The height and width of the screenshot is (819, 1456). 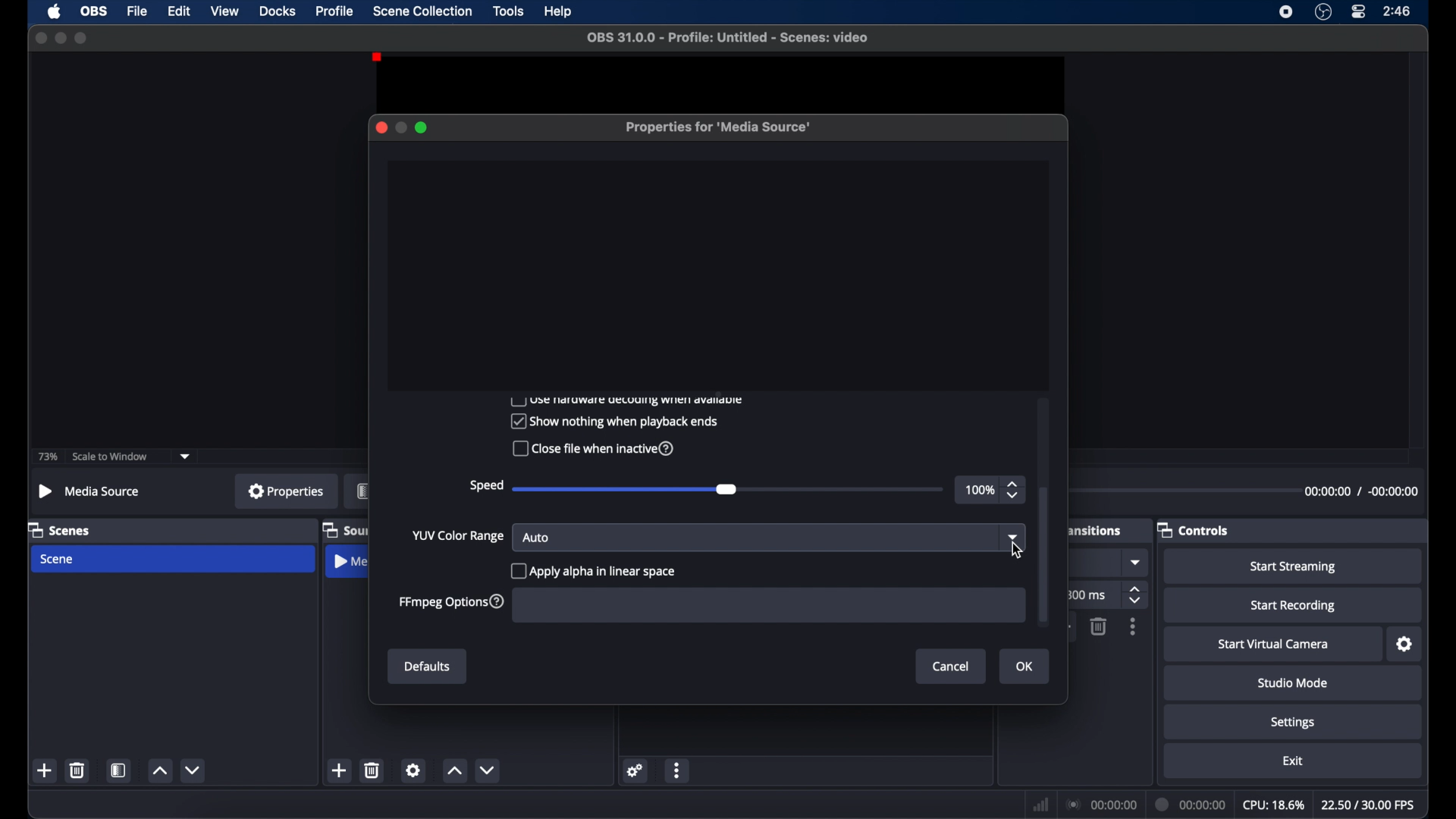 I want to click on cancel, so click(x=952, y=666).